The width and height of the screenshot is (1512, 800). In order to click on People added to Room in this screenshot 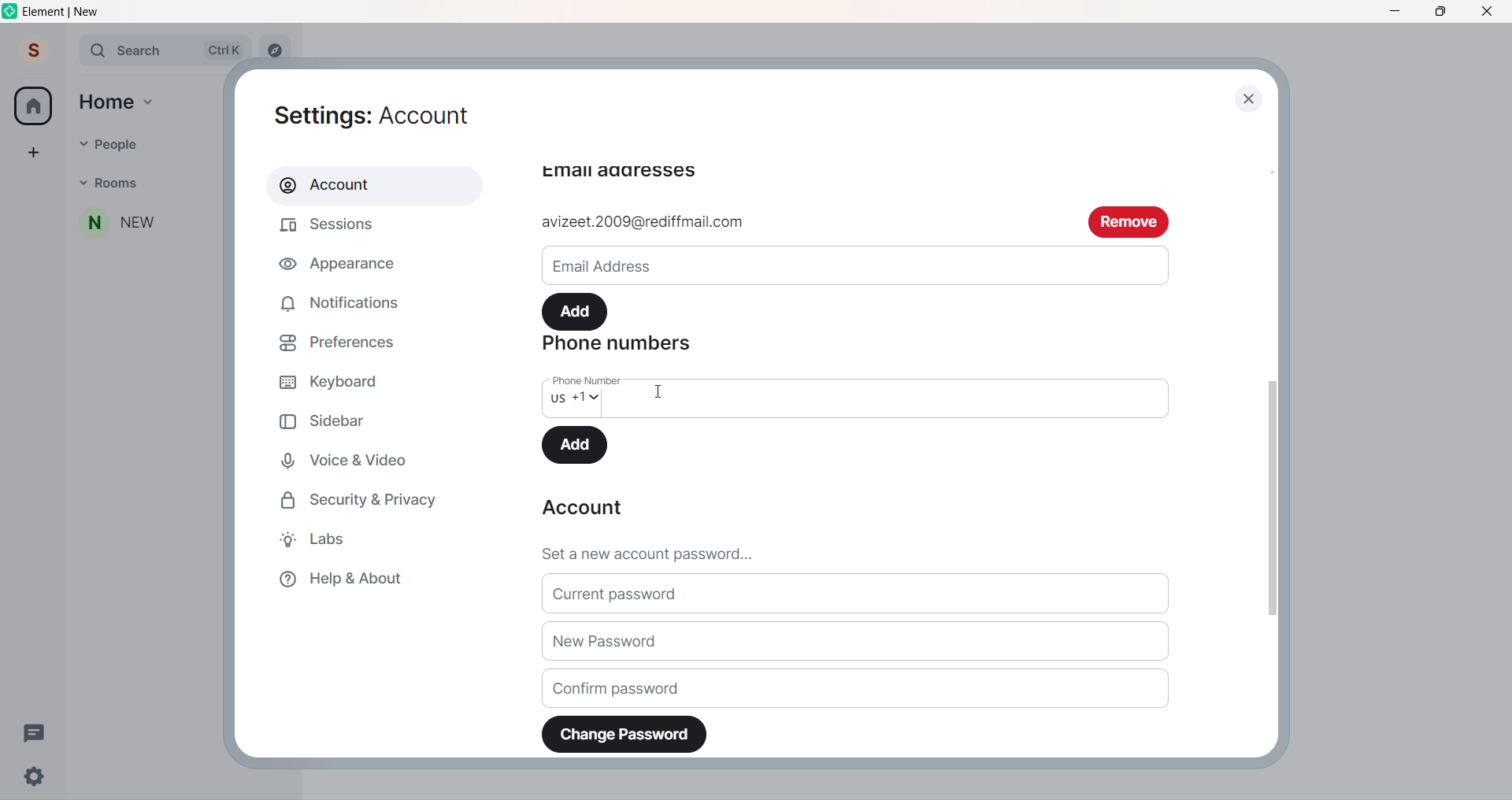, I will do `click(146, 223)`.